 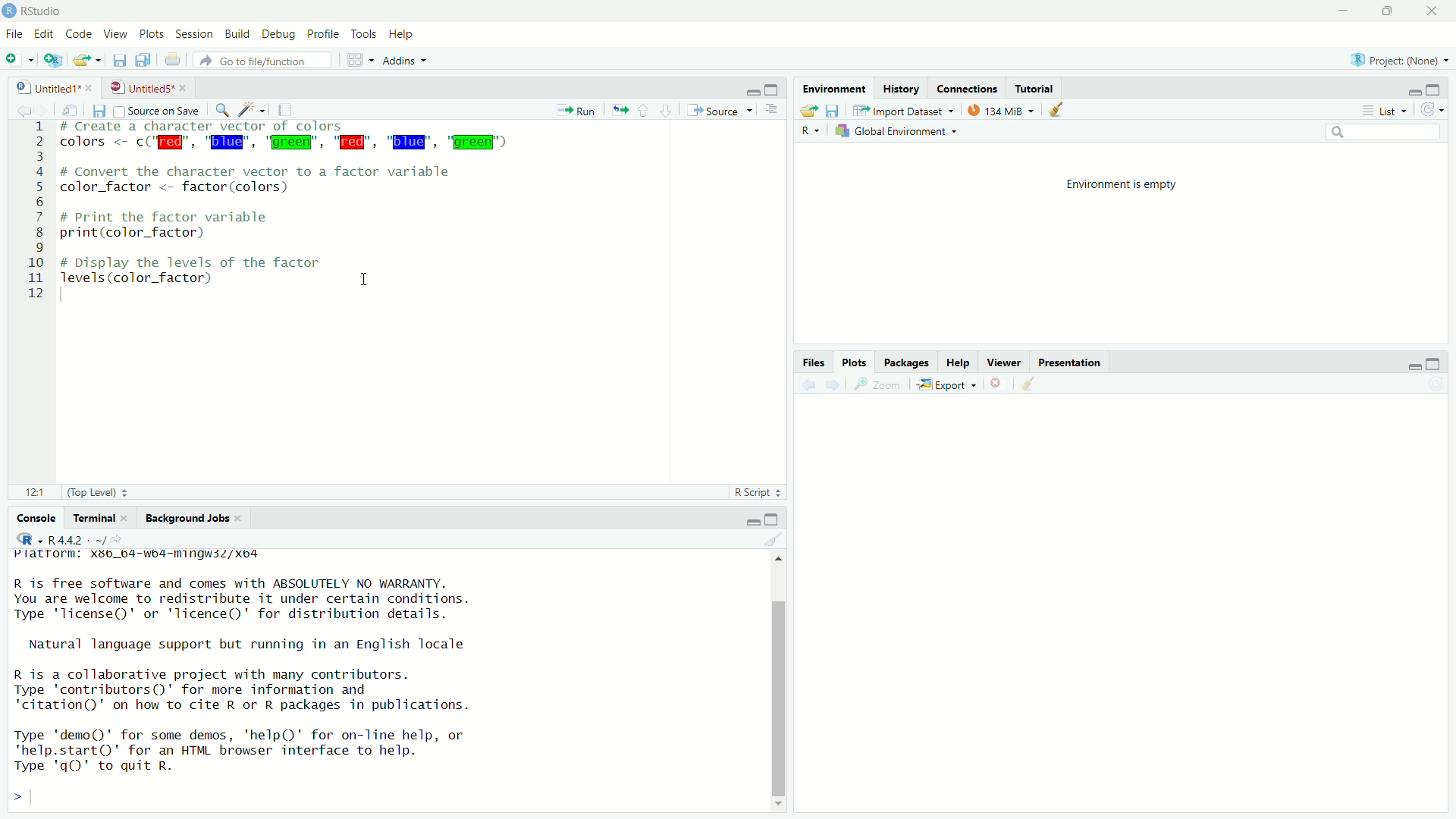 What do you see at coordinates (160, 110) in the screenshot?
I see `source on save` at bounding box center [160, 110].